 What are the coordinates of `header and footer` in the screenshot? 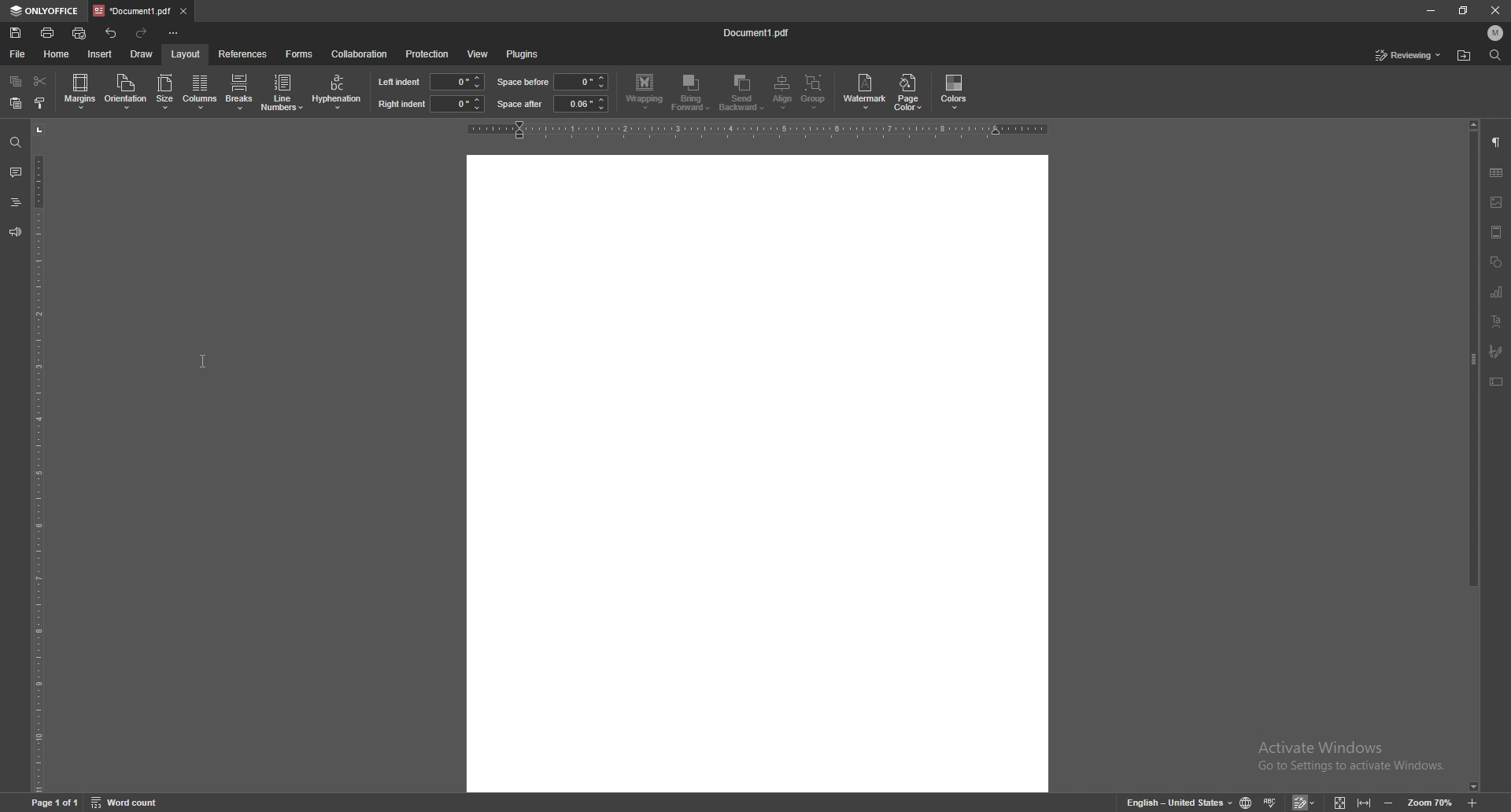 It's located at (1496, 232).